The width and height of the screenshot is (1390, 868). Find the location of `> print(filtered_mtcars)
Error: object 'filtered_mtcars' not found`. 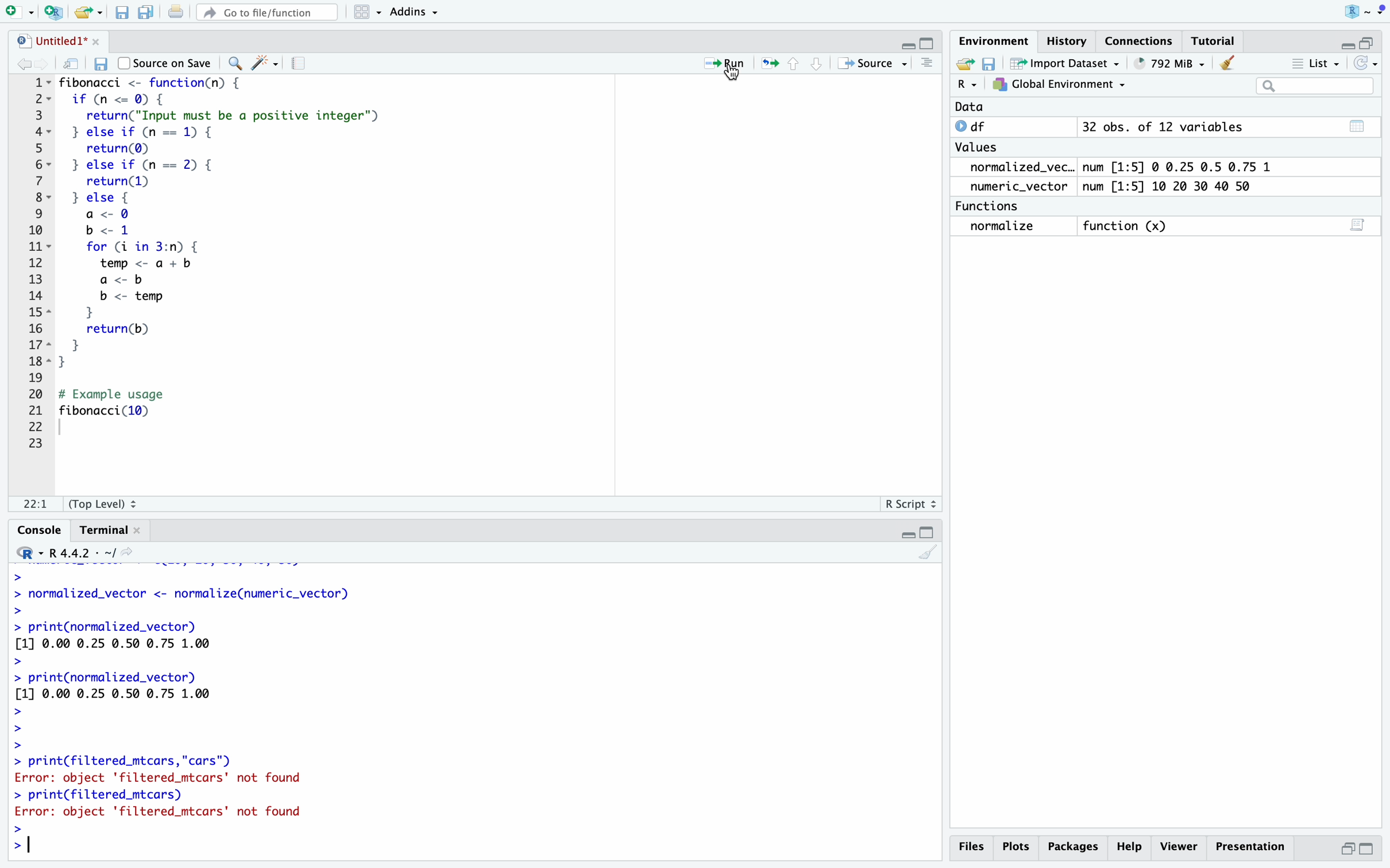

> print(filtered_mtcars)
Error: object 'filtered_mtcars' not found is located at coordinates (177, 804).